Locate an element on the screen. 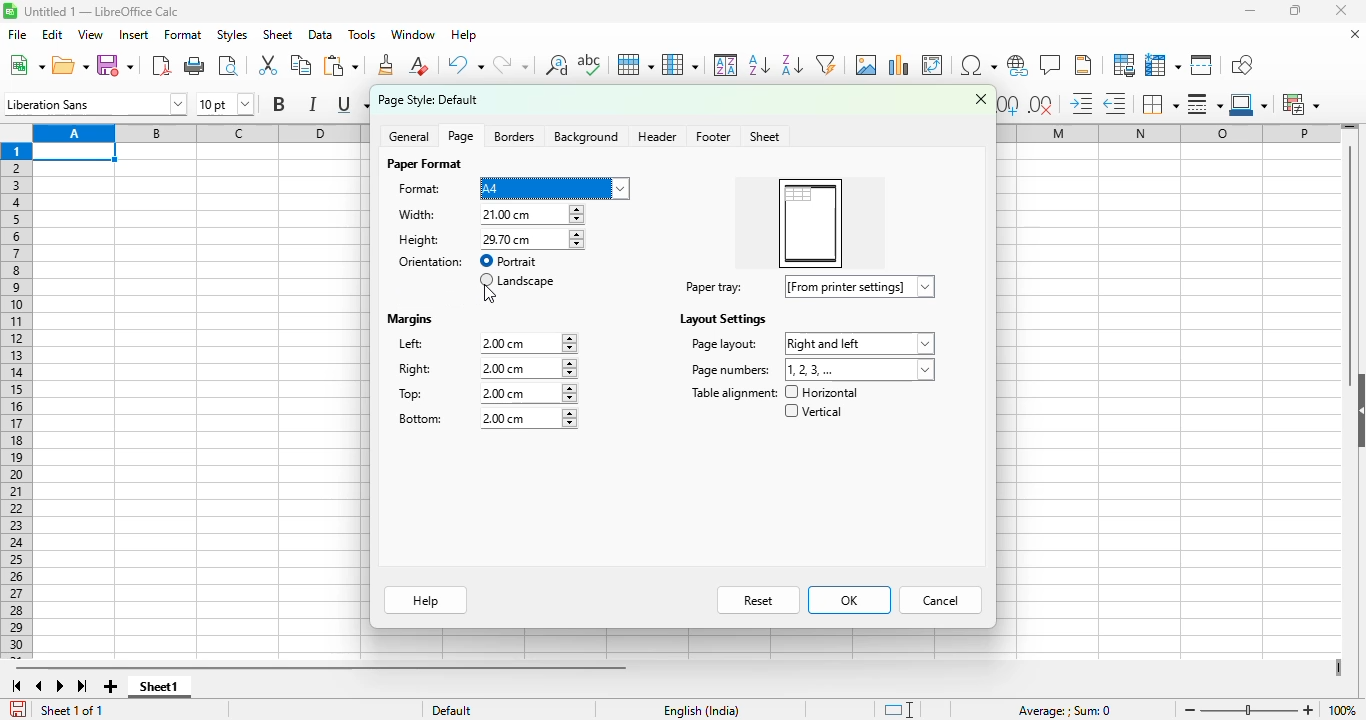  add decimal is located at coordinates (1009, 105).